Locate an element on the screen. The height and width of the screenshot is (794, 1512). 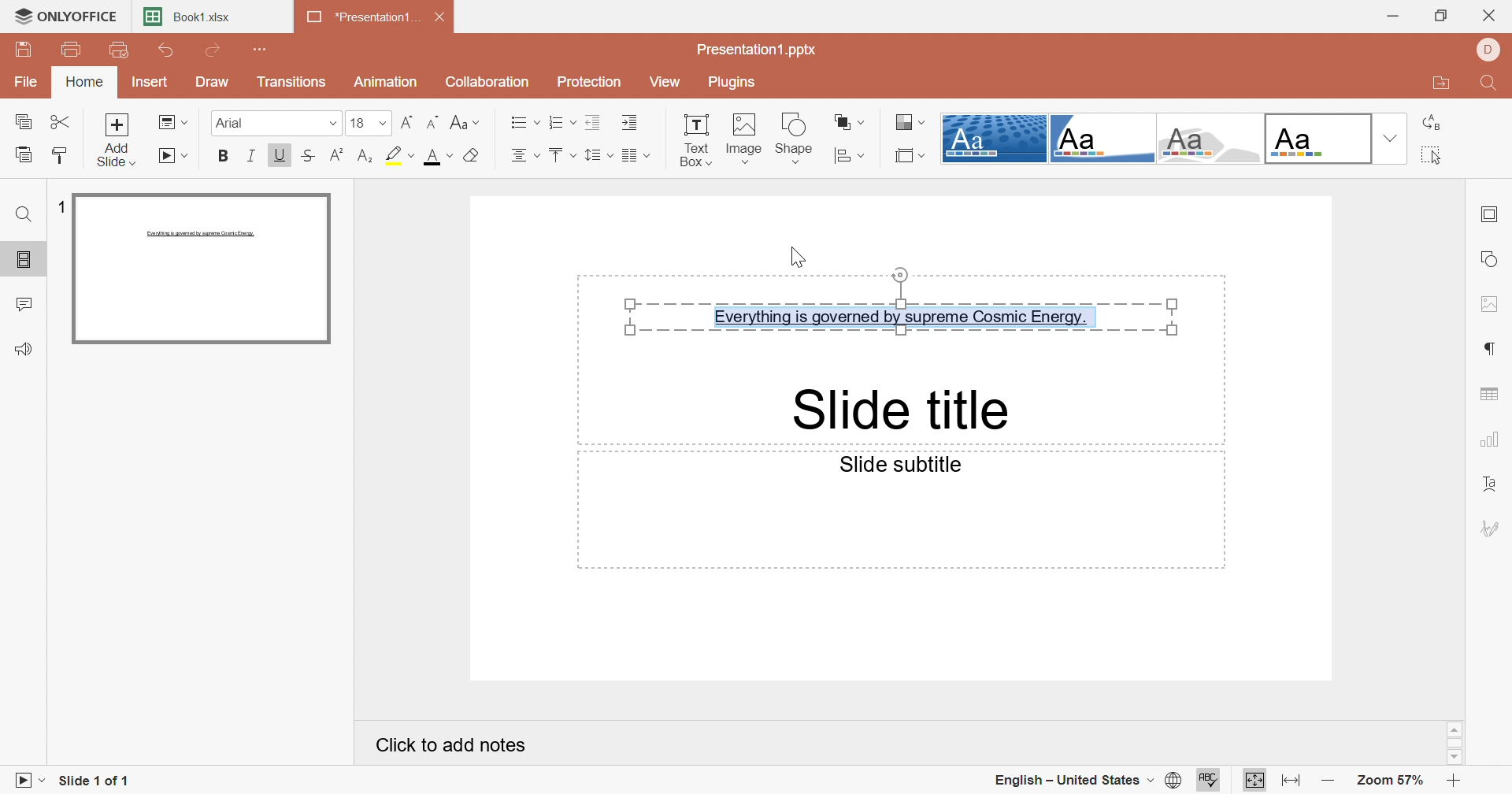
Animation is located at coordinates (387, 80).